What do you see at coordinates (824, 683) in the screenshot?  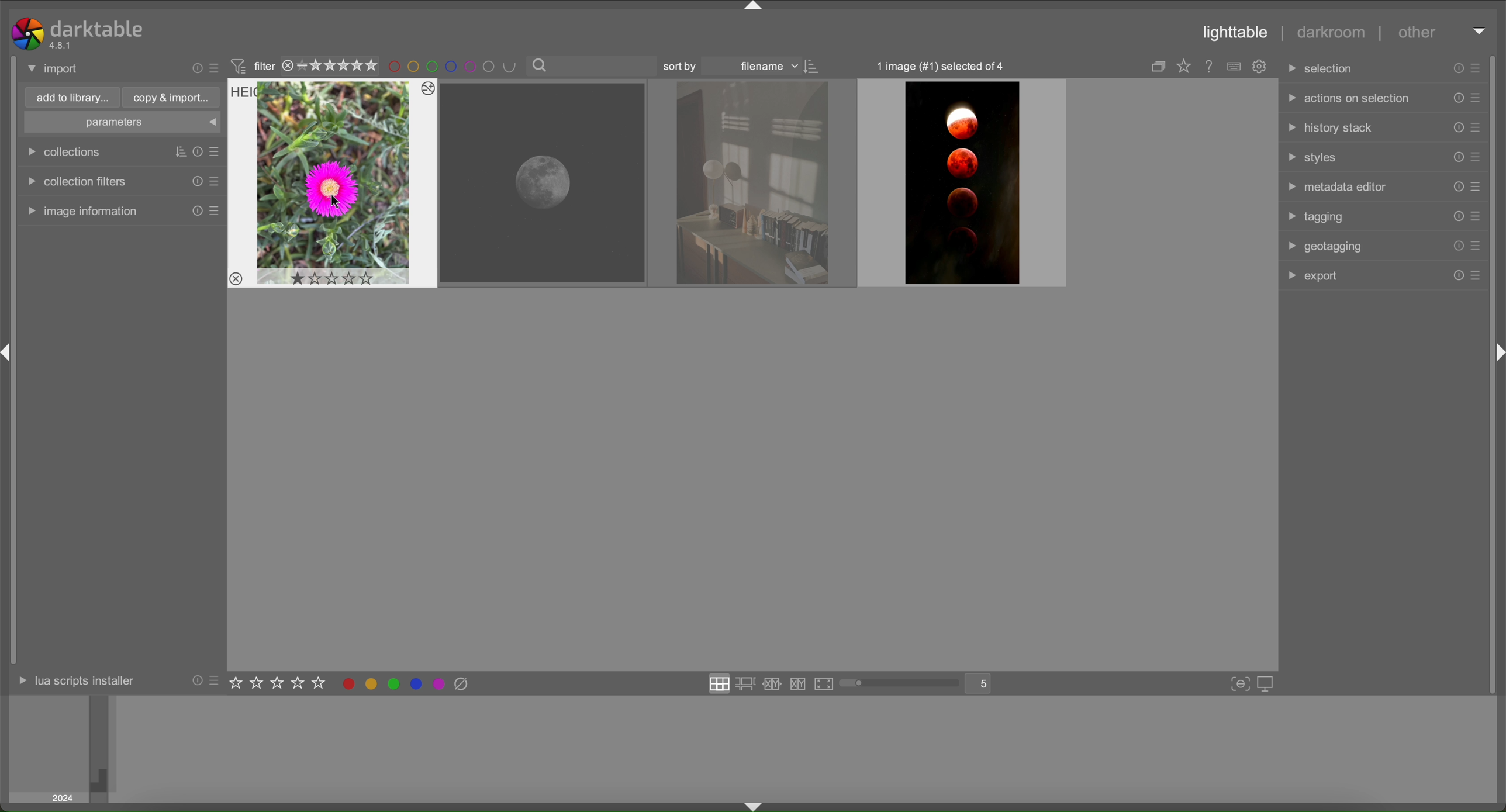 I see `preview layout` at bounding box center [824, 683].